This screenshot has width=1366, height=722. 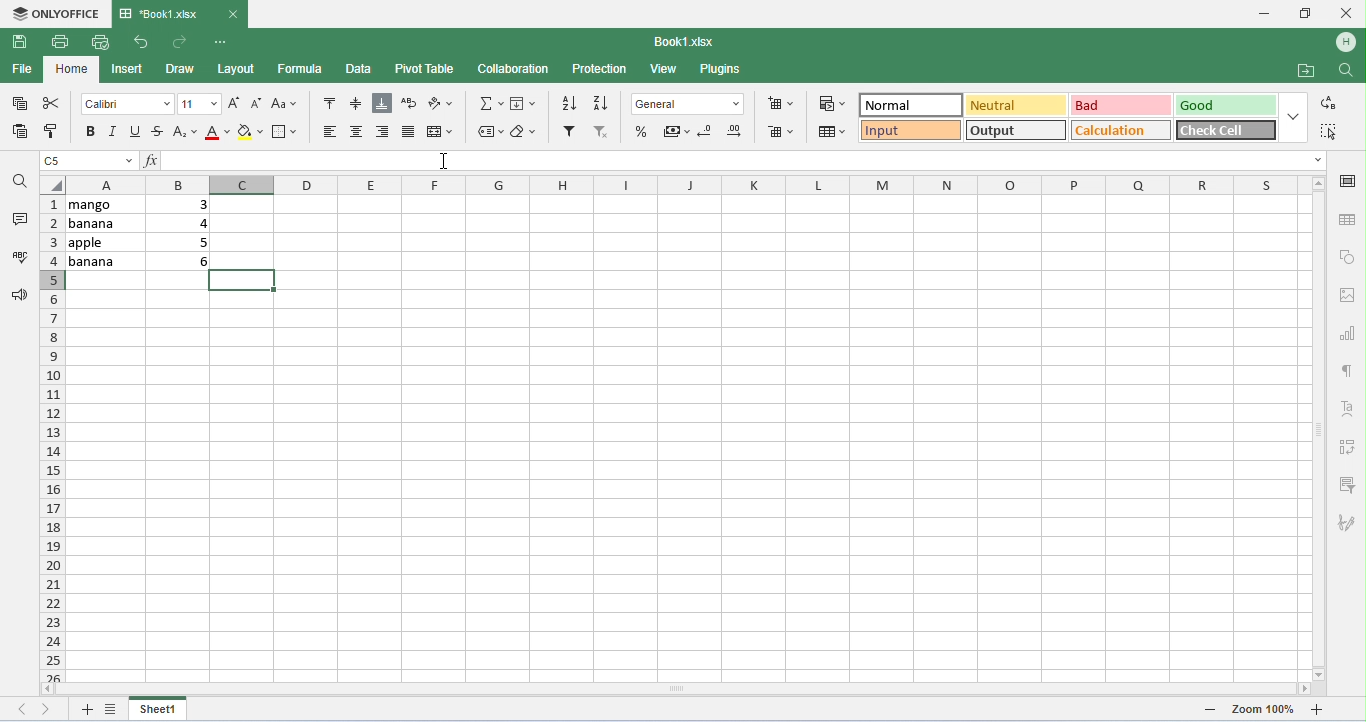 What do you see at coordinates (139, 42) in the screenshot?
I see `undo` at bounding box center [139, 42].